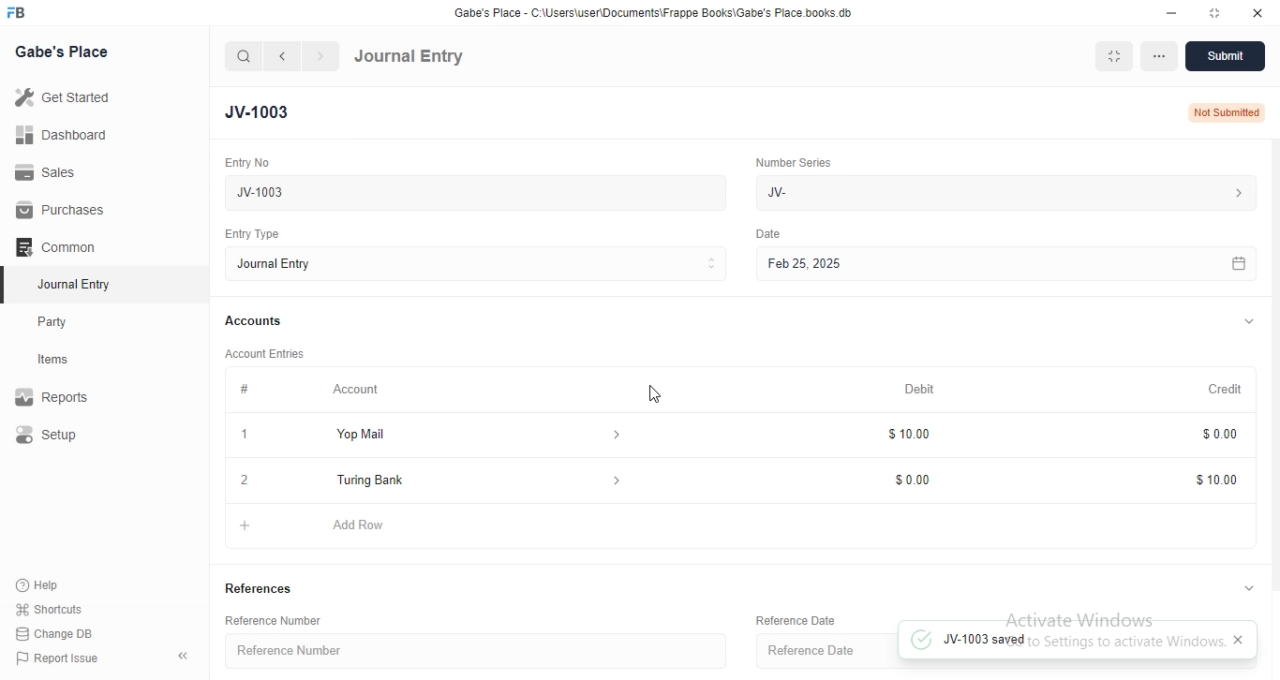 The width and height of the screenshot is (1280, 680). What do you see at coordinates (1242, 590) in the screenshot?
I see `expand/collapse` at bounding box center [1242, 590].